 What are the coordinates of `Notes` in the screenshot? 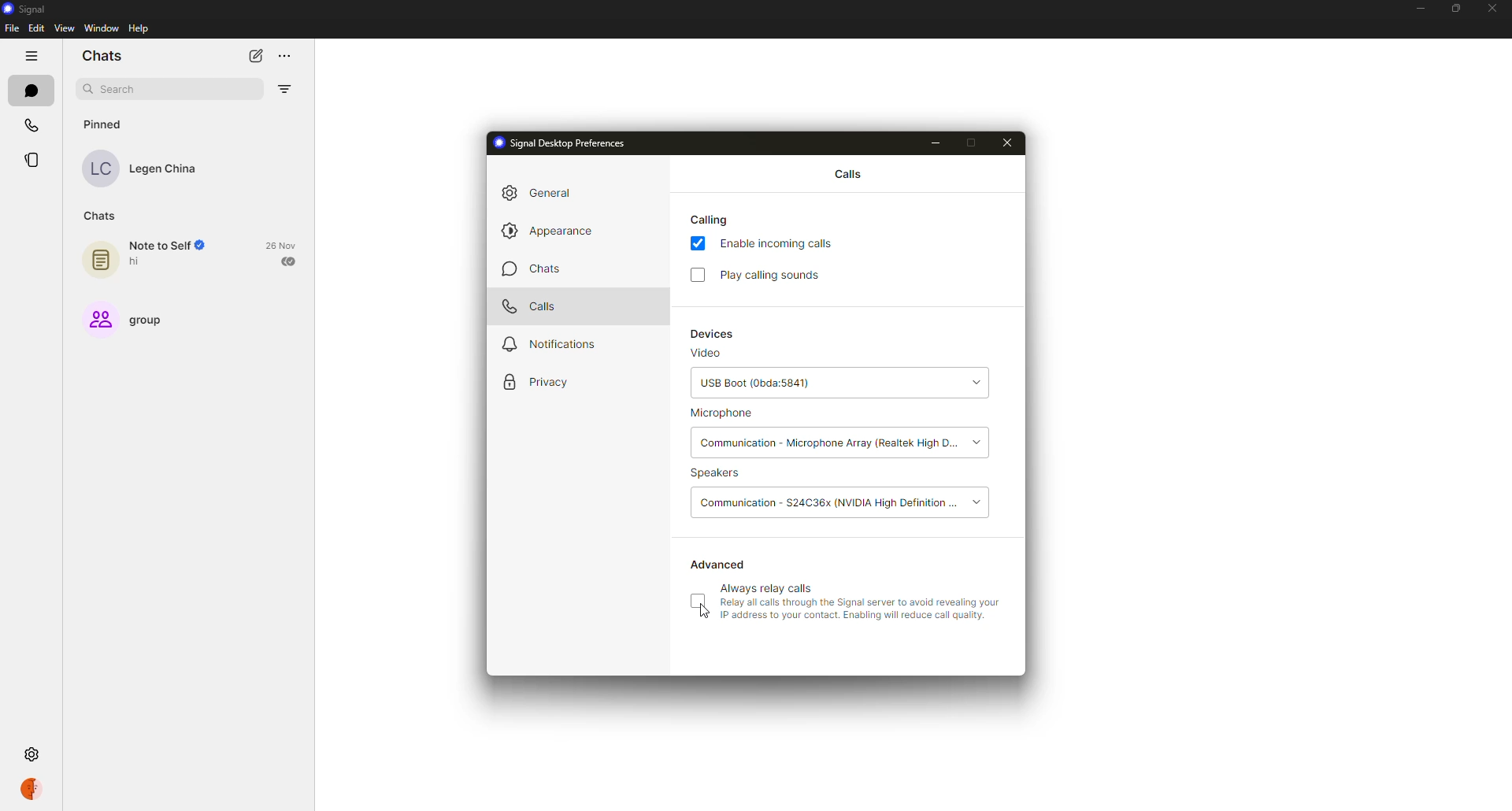 It's located at (98, 261).